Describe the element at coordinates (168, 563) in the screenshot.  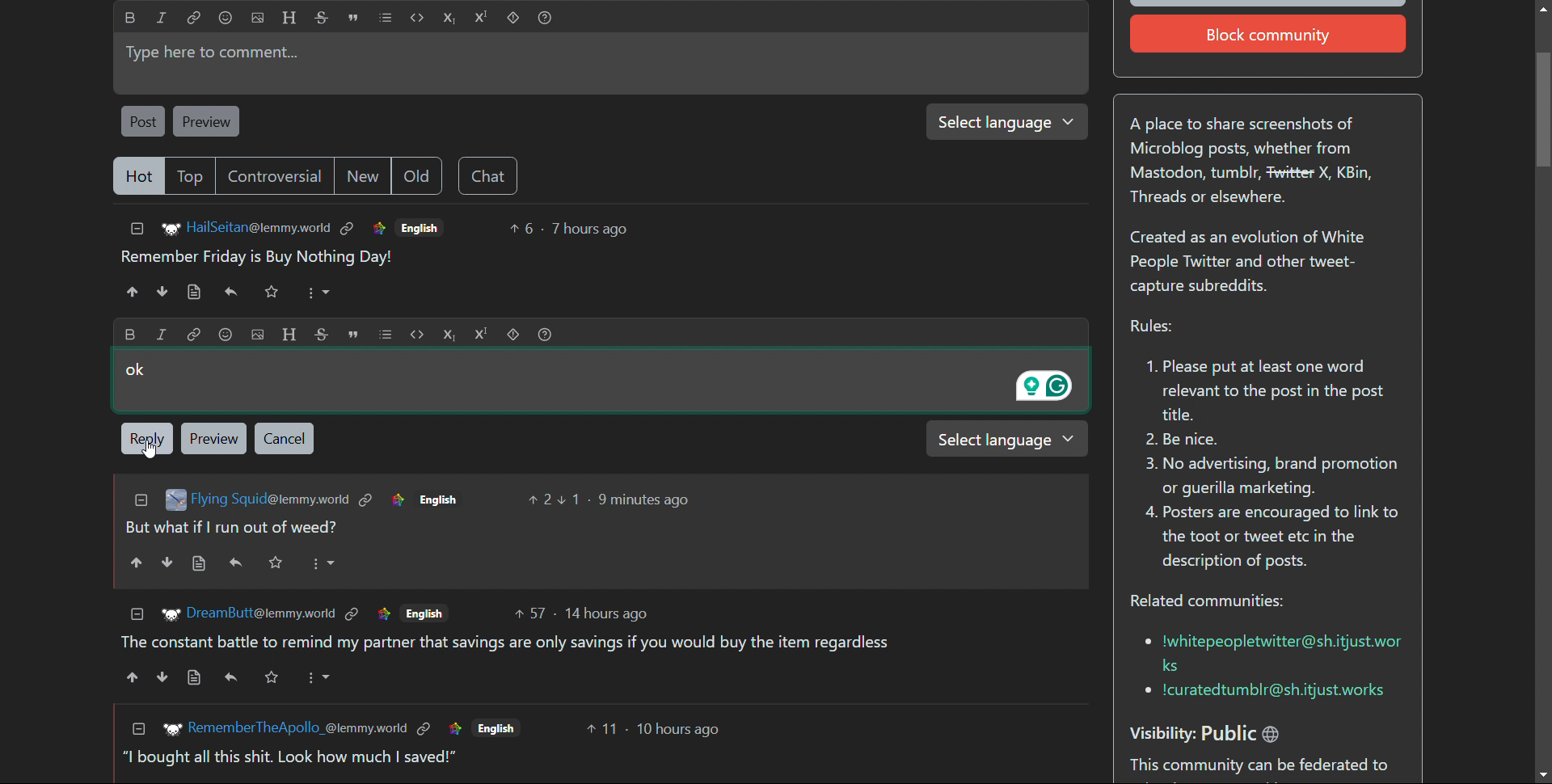
I see `downvote` at that location.